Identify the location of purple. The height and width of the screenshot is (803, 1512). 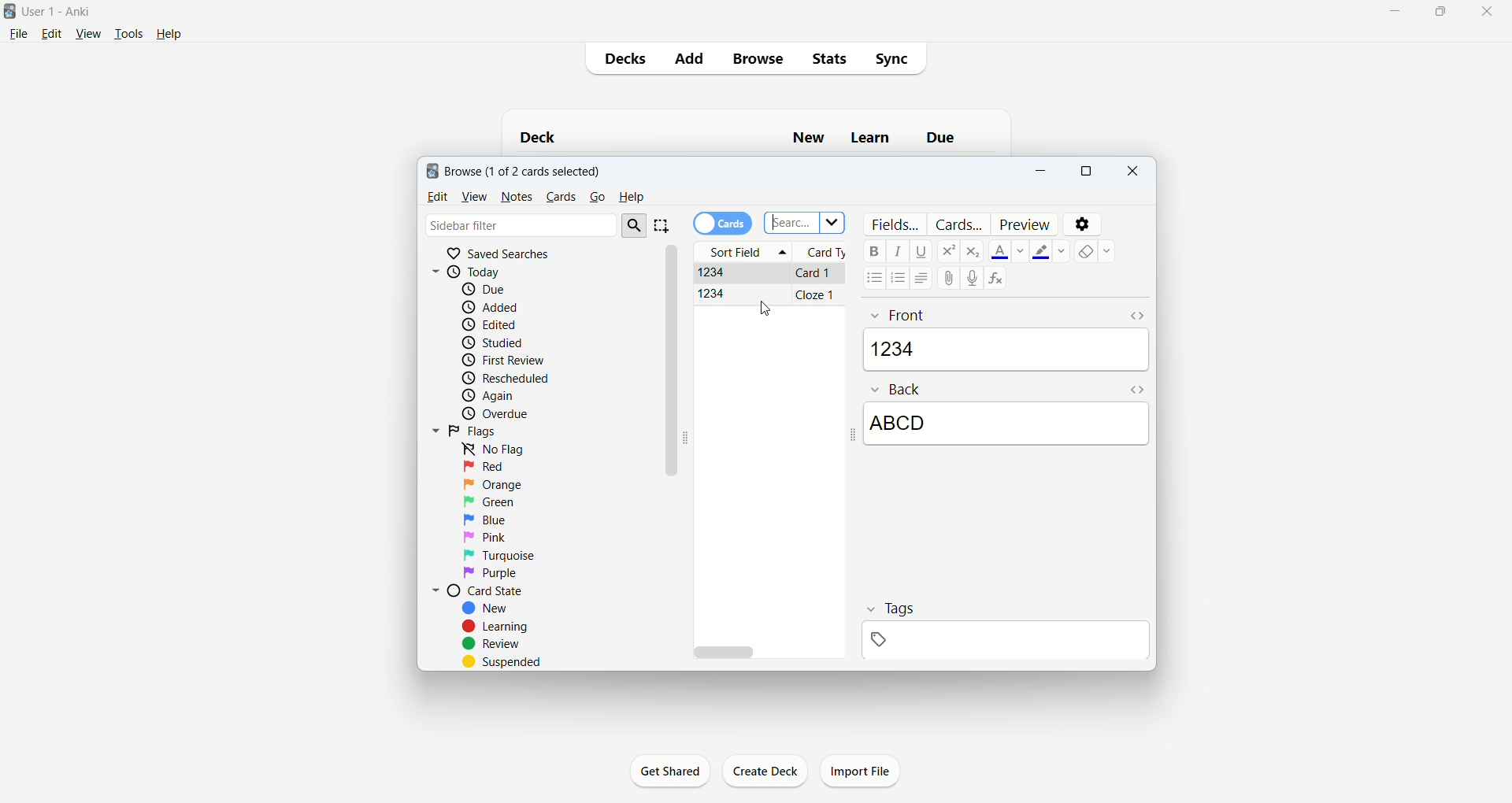
(492, 574).